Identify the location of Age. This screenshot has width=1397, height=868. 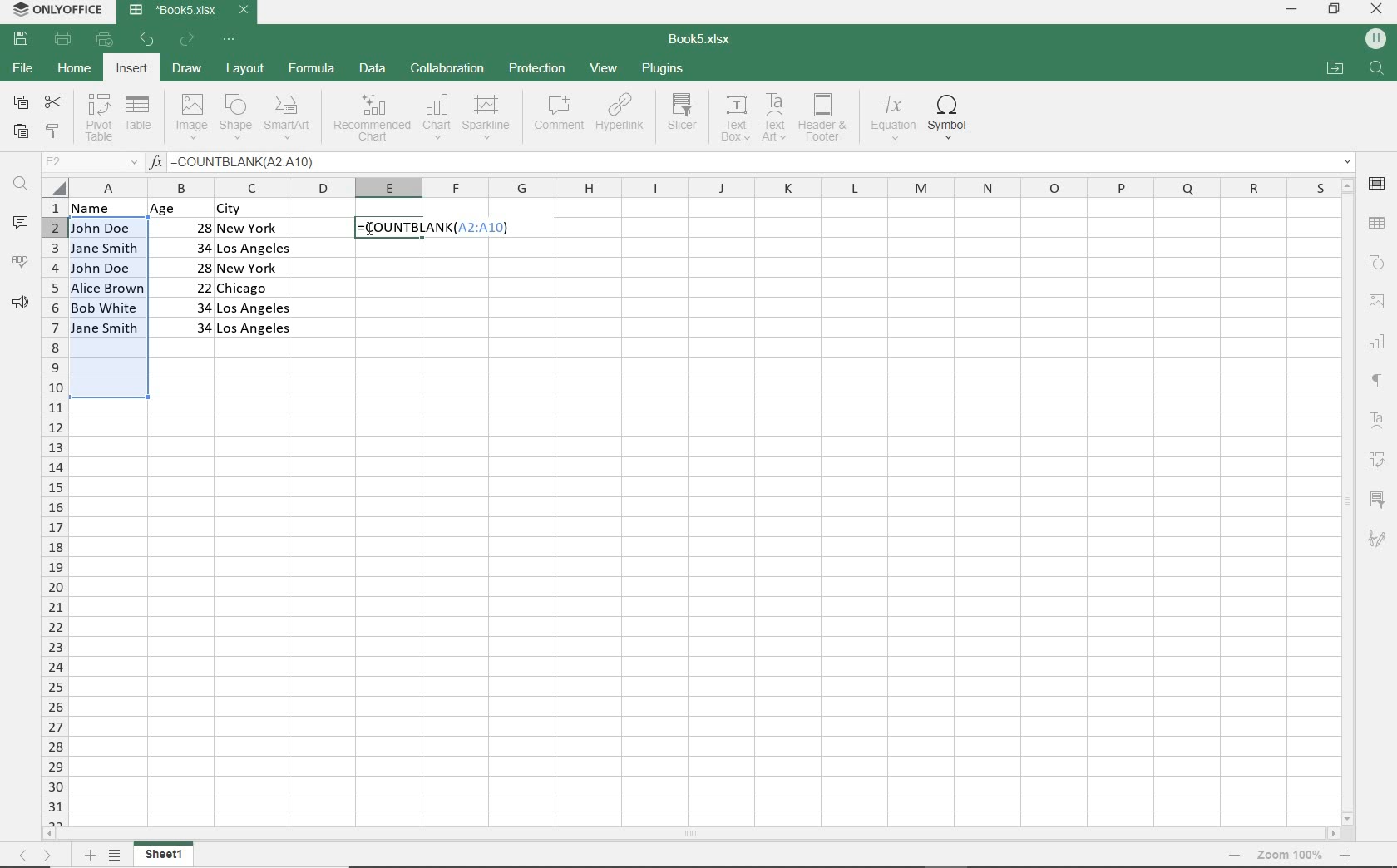
(180, 209).